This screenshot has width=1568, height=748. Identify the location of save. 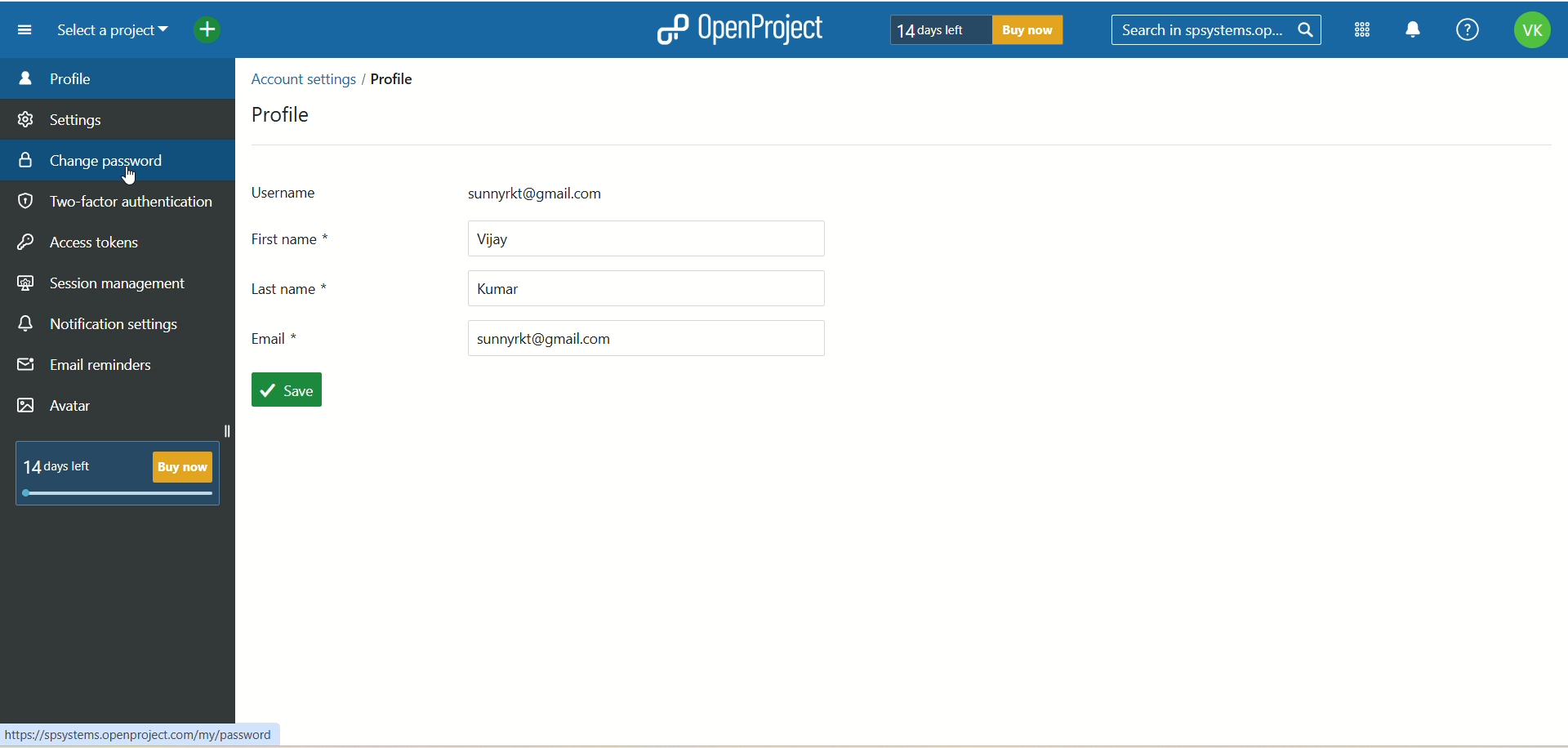
(285, 390).